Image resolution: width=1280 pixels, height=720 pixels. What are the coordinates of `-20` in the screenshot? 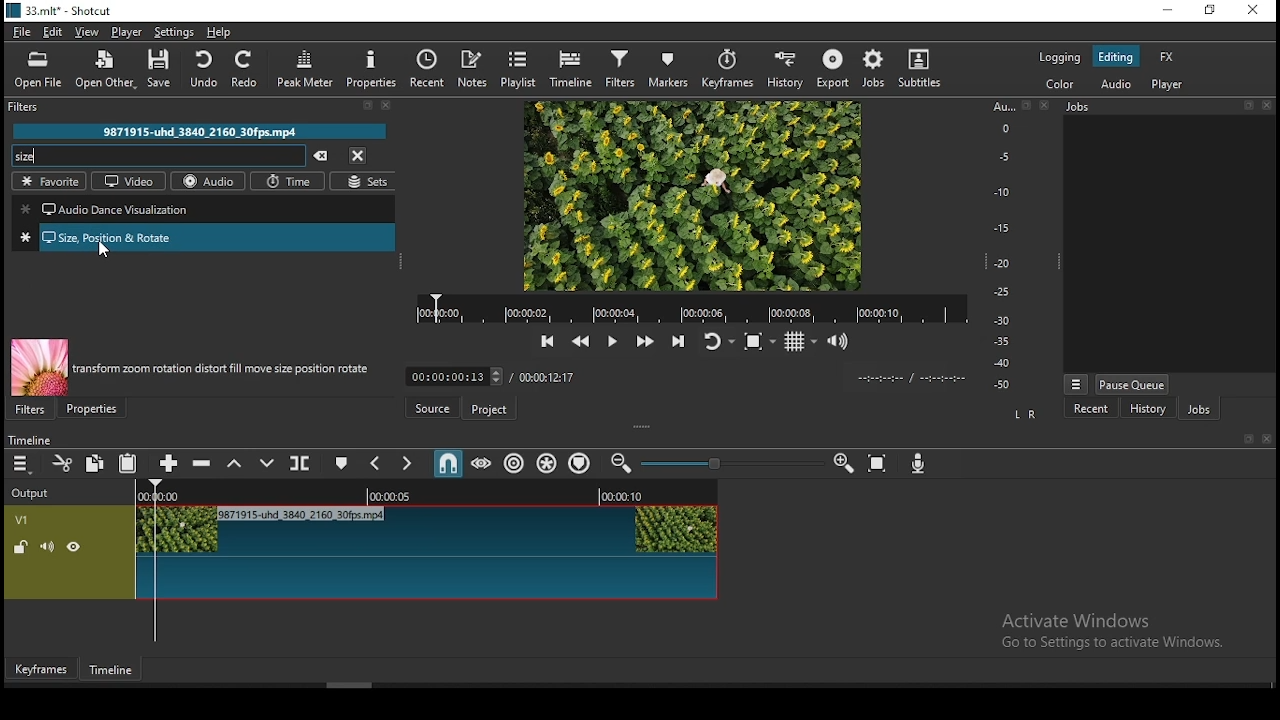 It's located at (1003, 261).